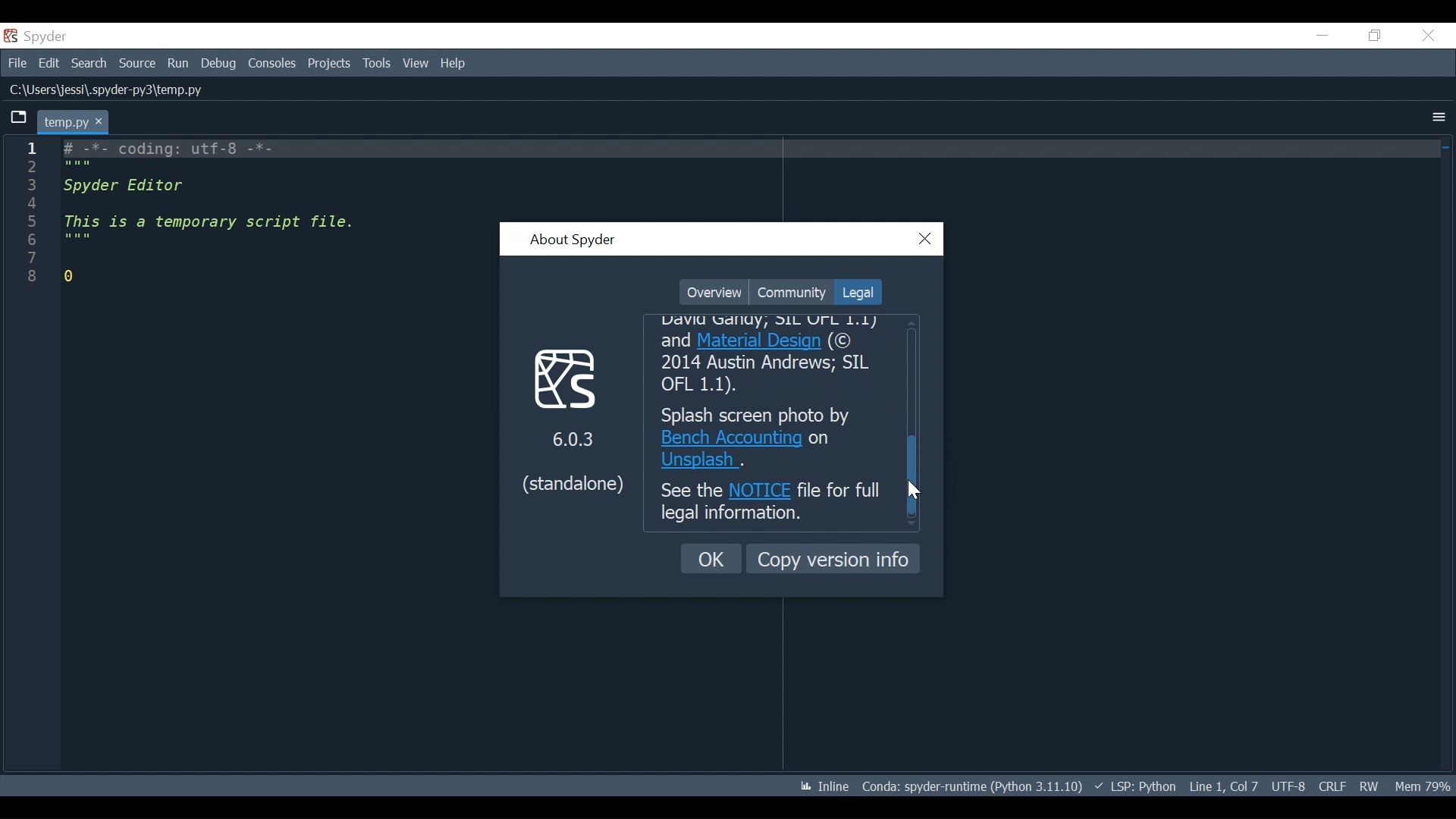 Image resolution: width=1456 pixels, height=819 pixels. Describe the element at coordinates (915, 475) in the screenshot. I see `Vertical Scroll bar` at that location.